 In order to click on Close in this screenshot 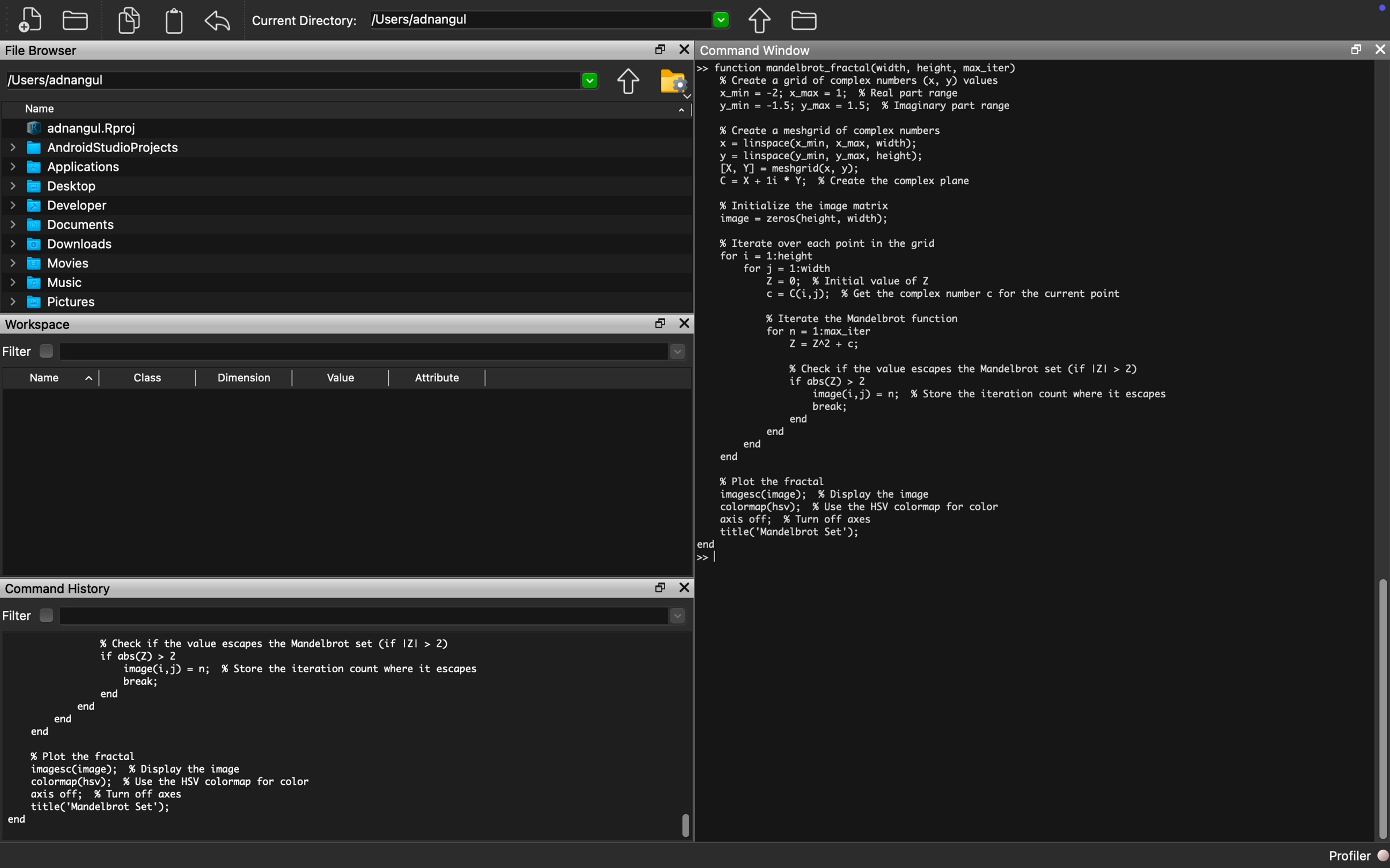, I will do `click(684, 588)`.